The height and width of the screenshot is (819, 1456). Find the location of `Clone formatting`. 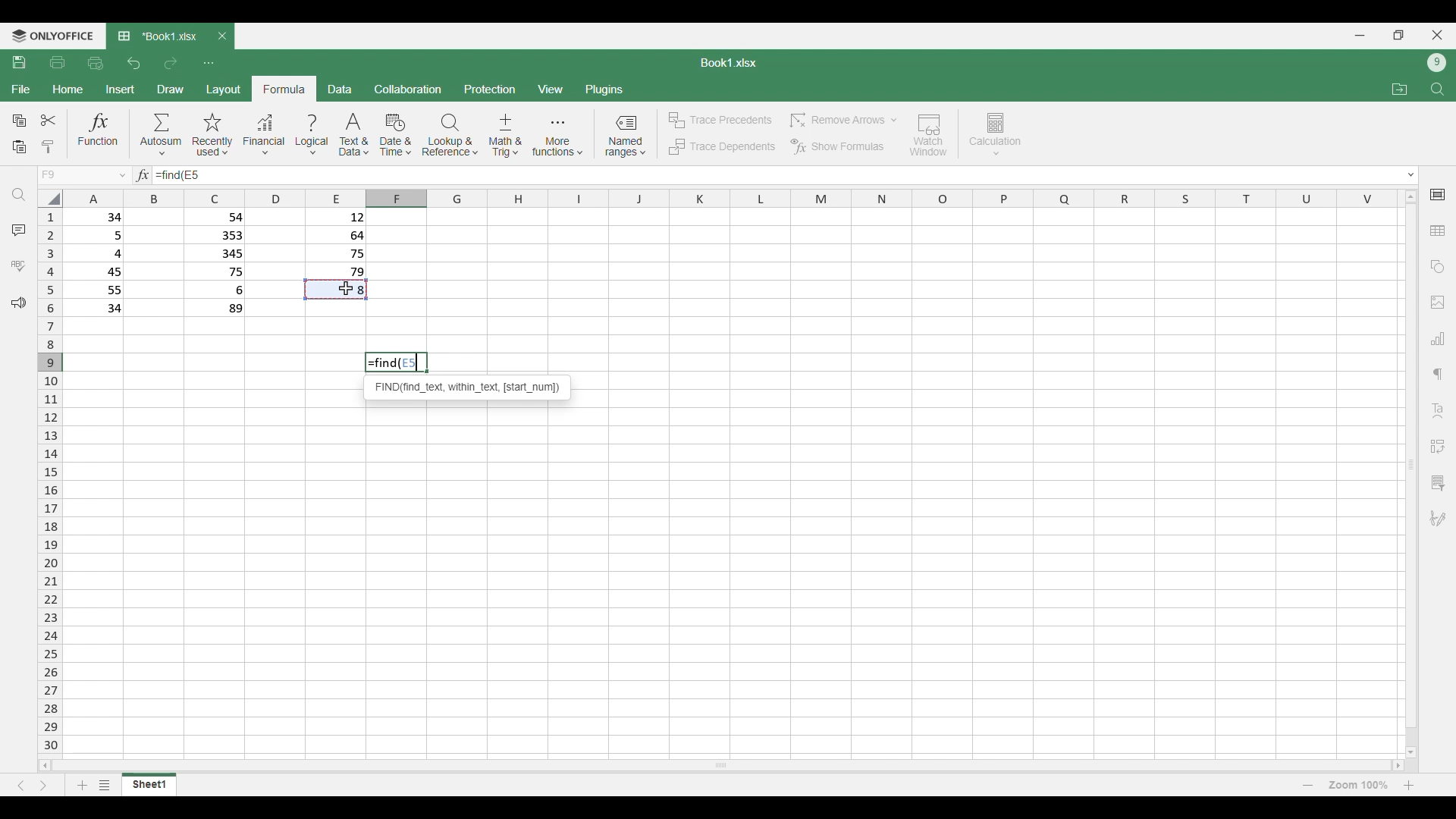

Clone formatting is located at coordinates (47, 148).